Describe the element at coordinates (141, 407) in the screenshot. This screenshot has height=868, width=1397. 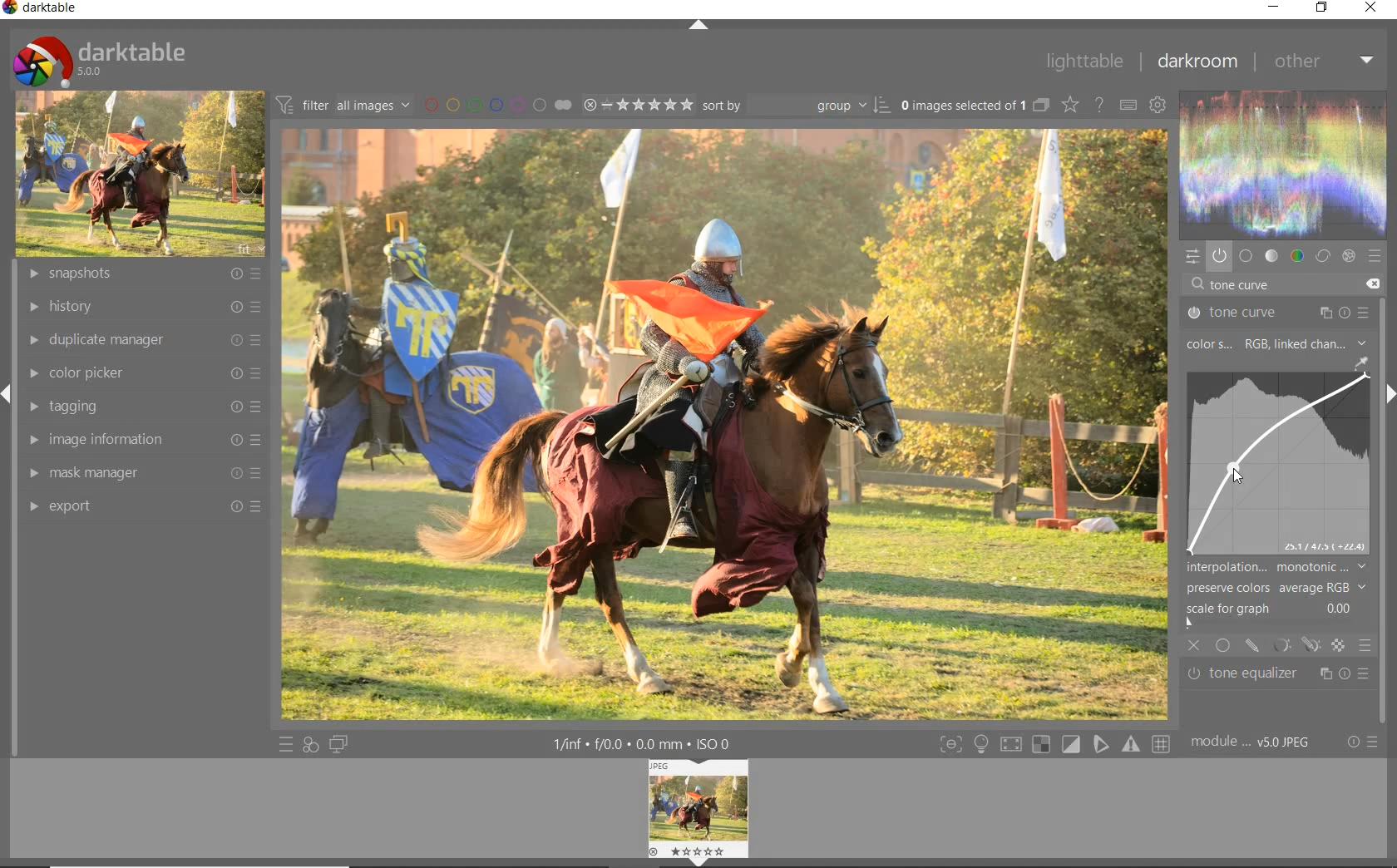
I see `tagging` at that location.